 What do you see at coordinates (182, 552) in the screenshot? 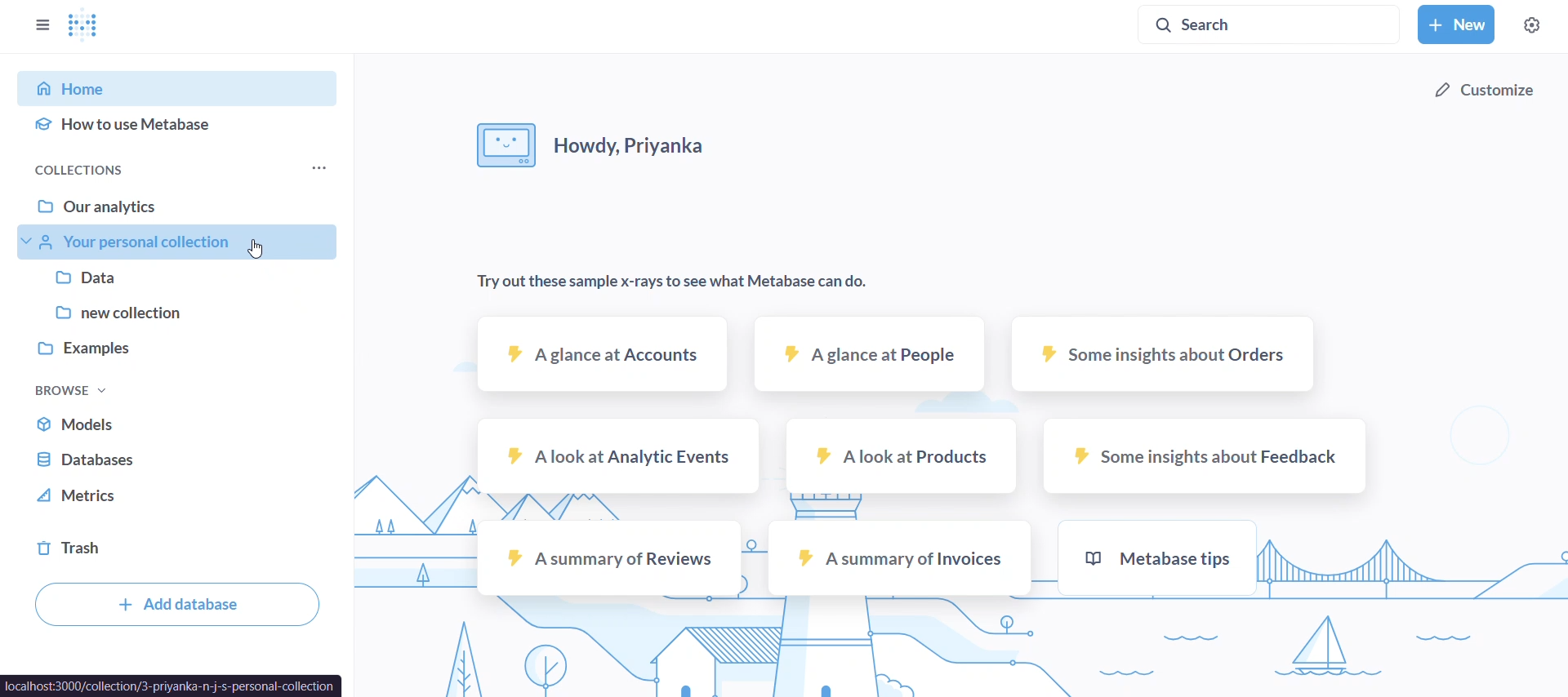
I see `trash` at bounding box center [182, 552].